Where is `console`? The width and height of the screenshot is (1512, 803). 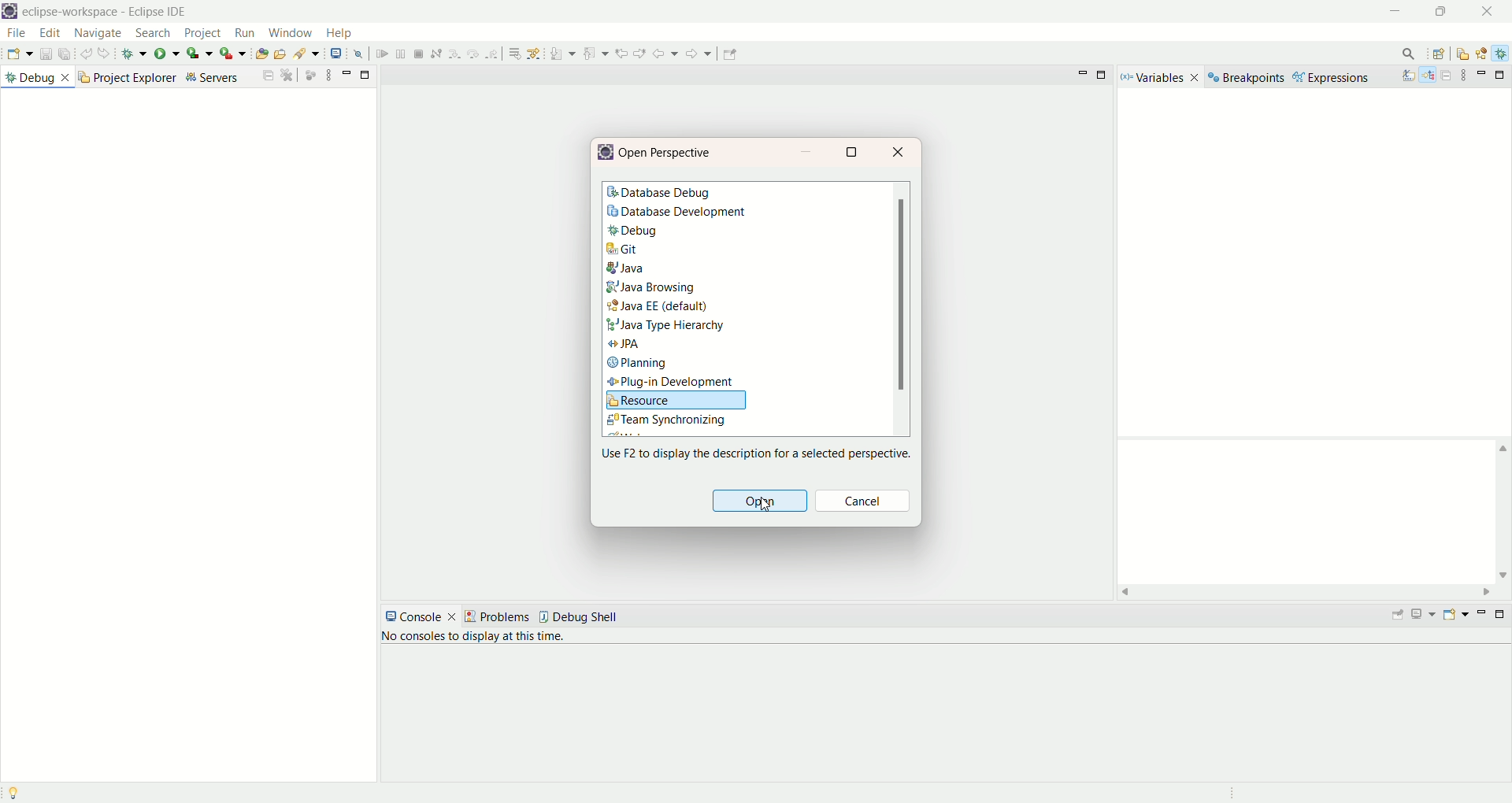 console is located at coordinates (423, 617).